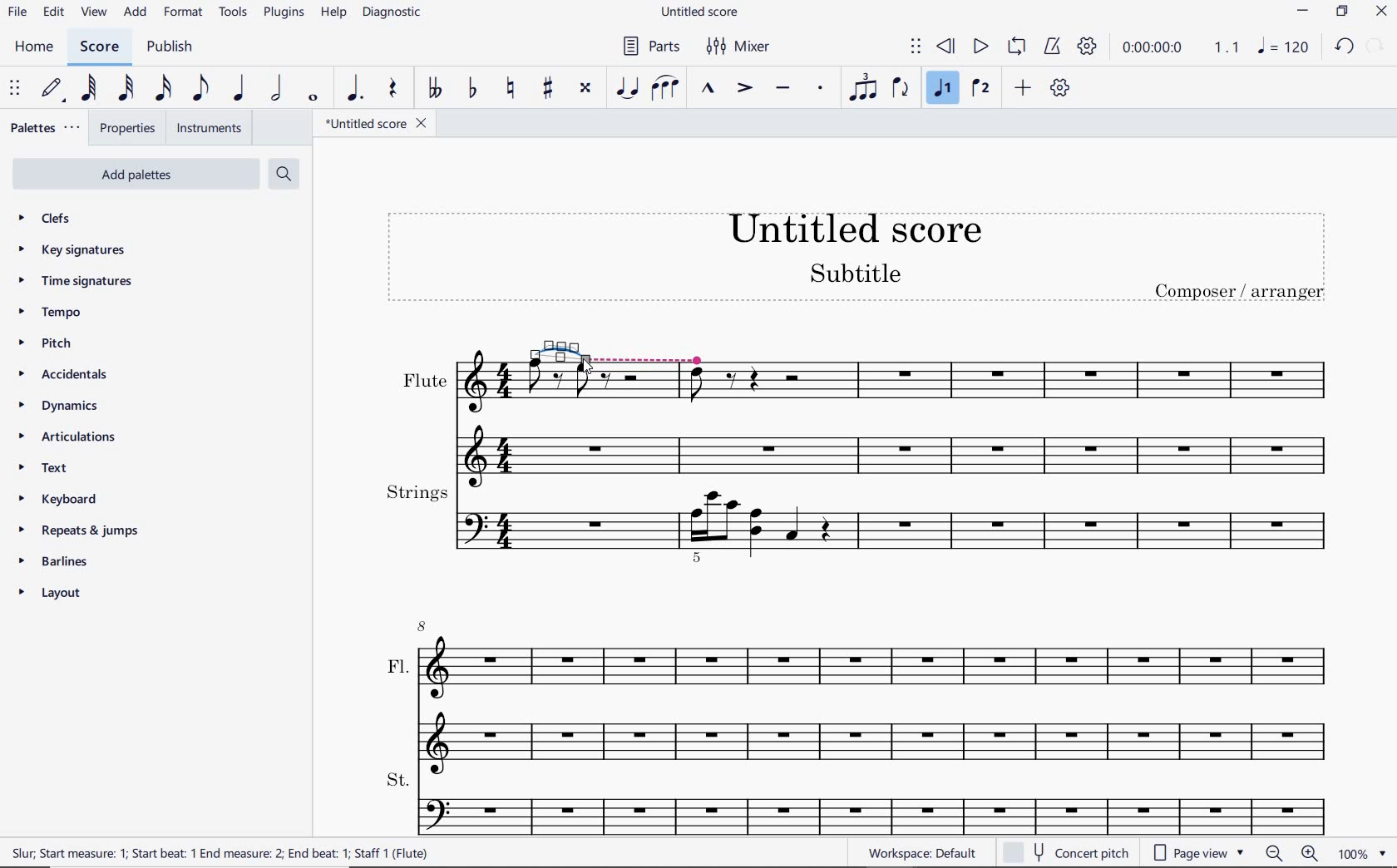 The image size is (1397, 868). What do you see at coordinates (615, 421) in the screenshot?
I see `flute` at bounding box center [615, 421].